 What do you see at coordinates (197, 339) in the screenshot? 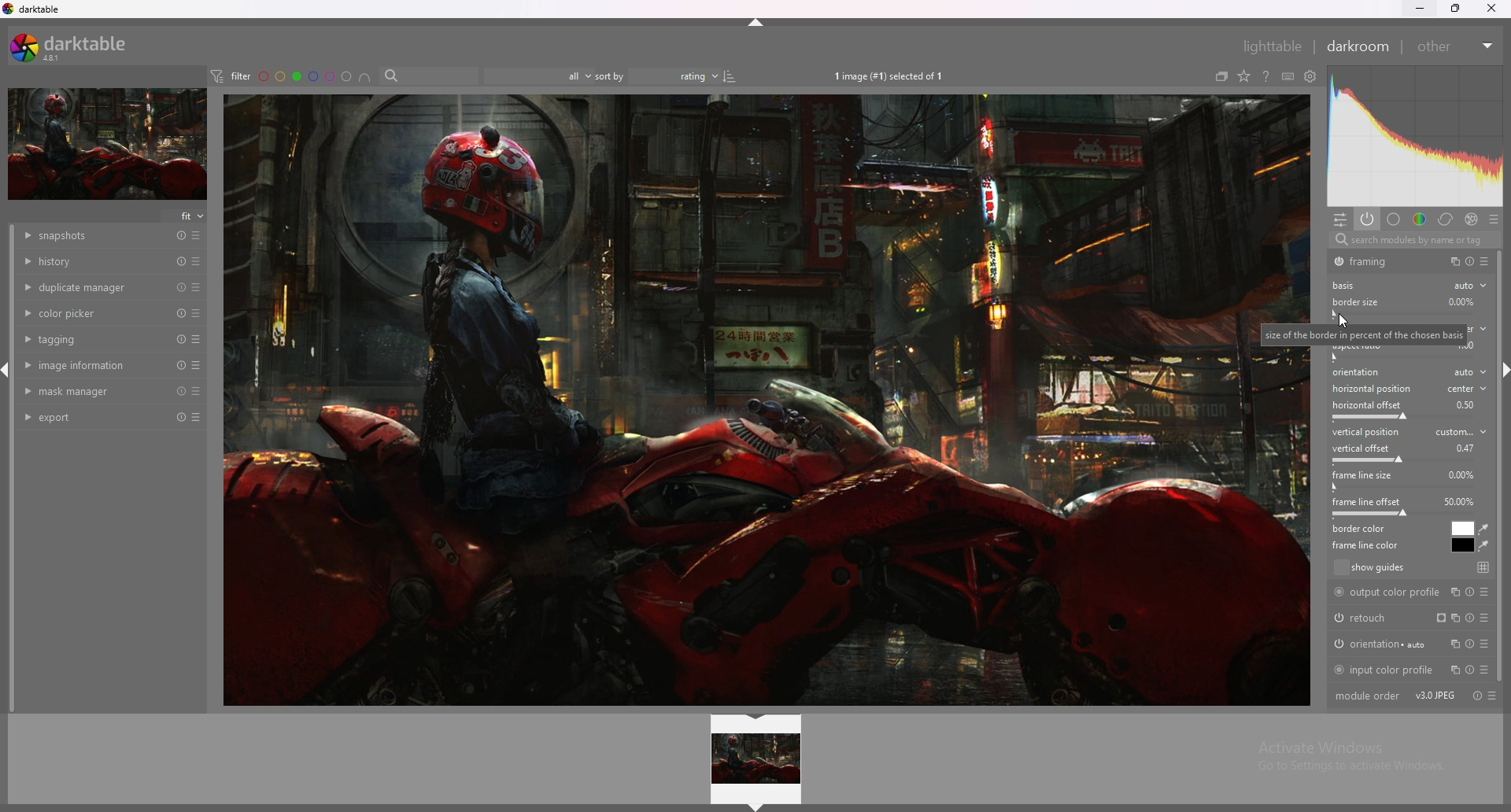
I see `presets` at bounding box center [197, 339].